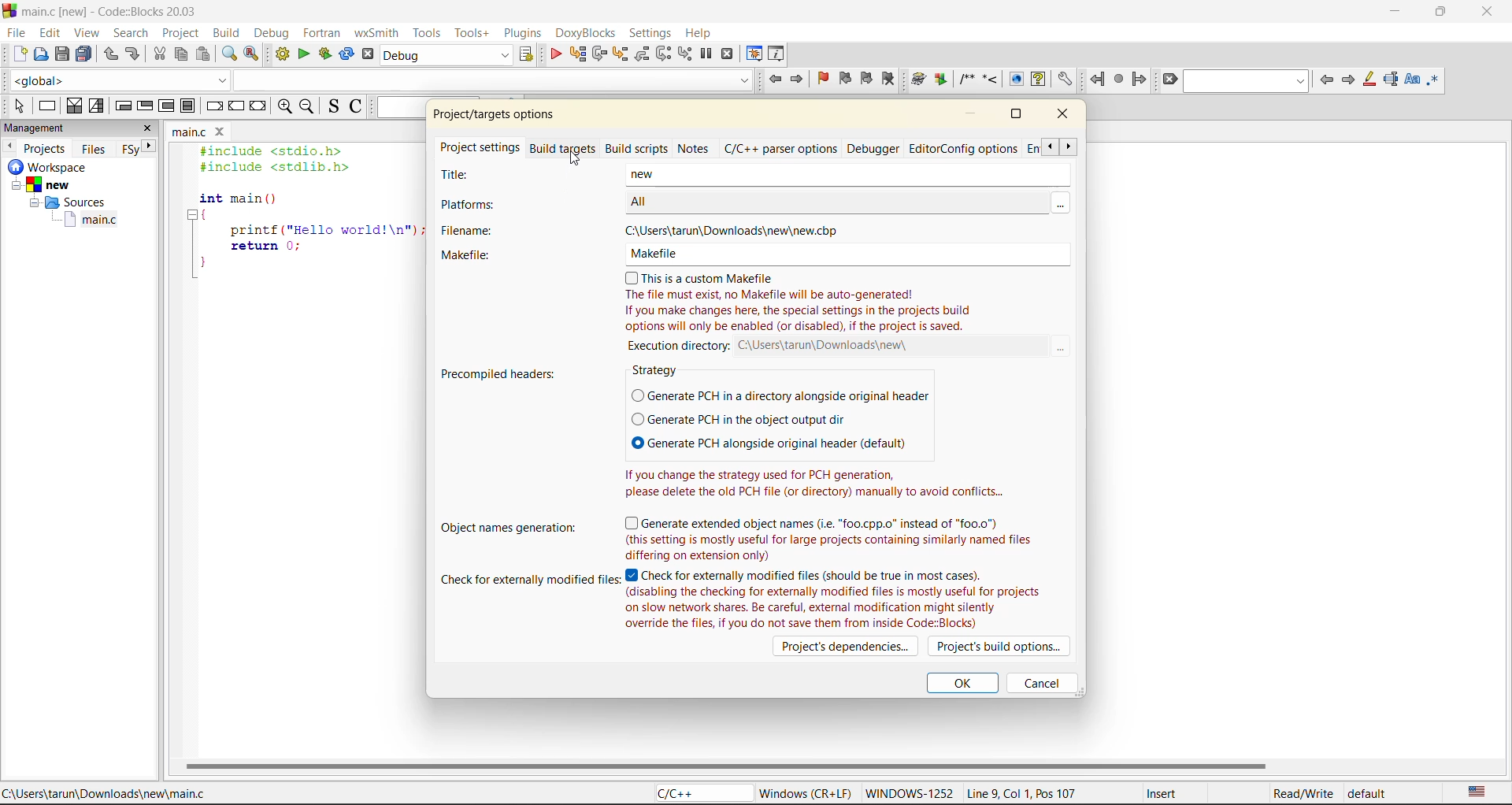  What do you see at coordinates (1444, 14) in the screenshot?
I see `maximize` at bounding box center [1444, 14].